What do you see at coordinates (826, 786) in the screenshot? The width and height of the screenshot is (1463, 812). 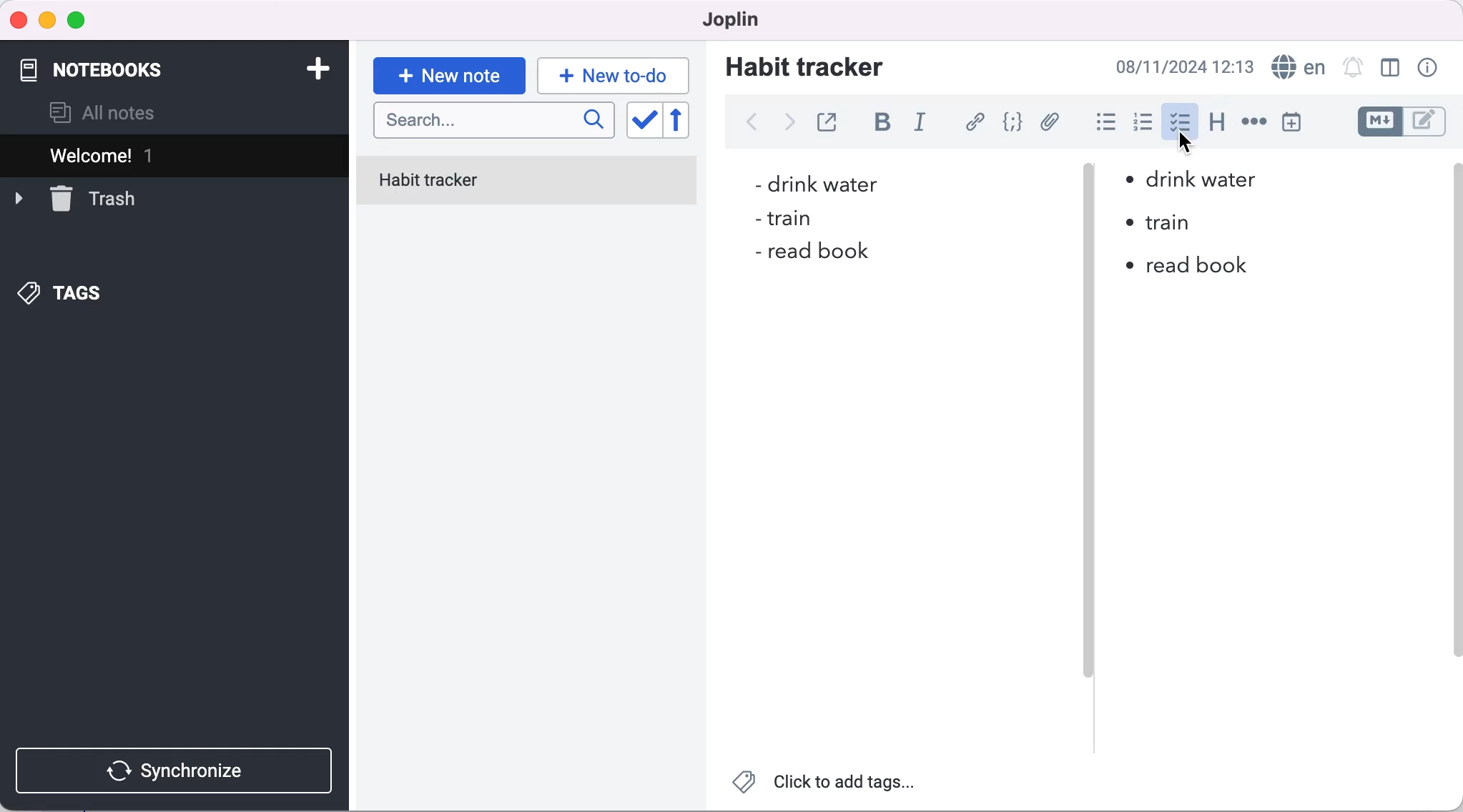 I see `click to add tags` at bounding box center [826, 786].